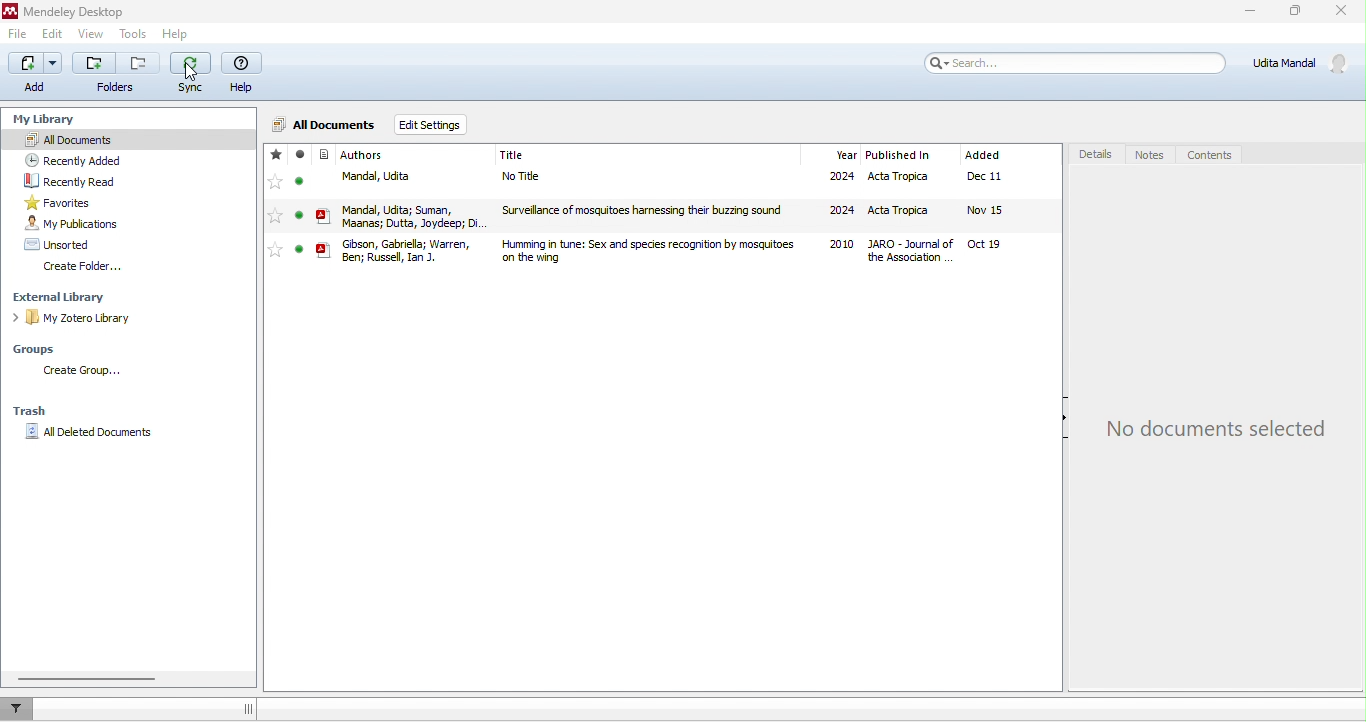 This screenshot has width=1366, height=722. I want to click on file, so click(653, 215).